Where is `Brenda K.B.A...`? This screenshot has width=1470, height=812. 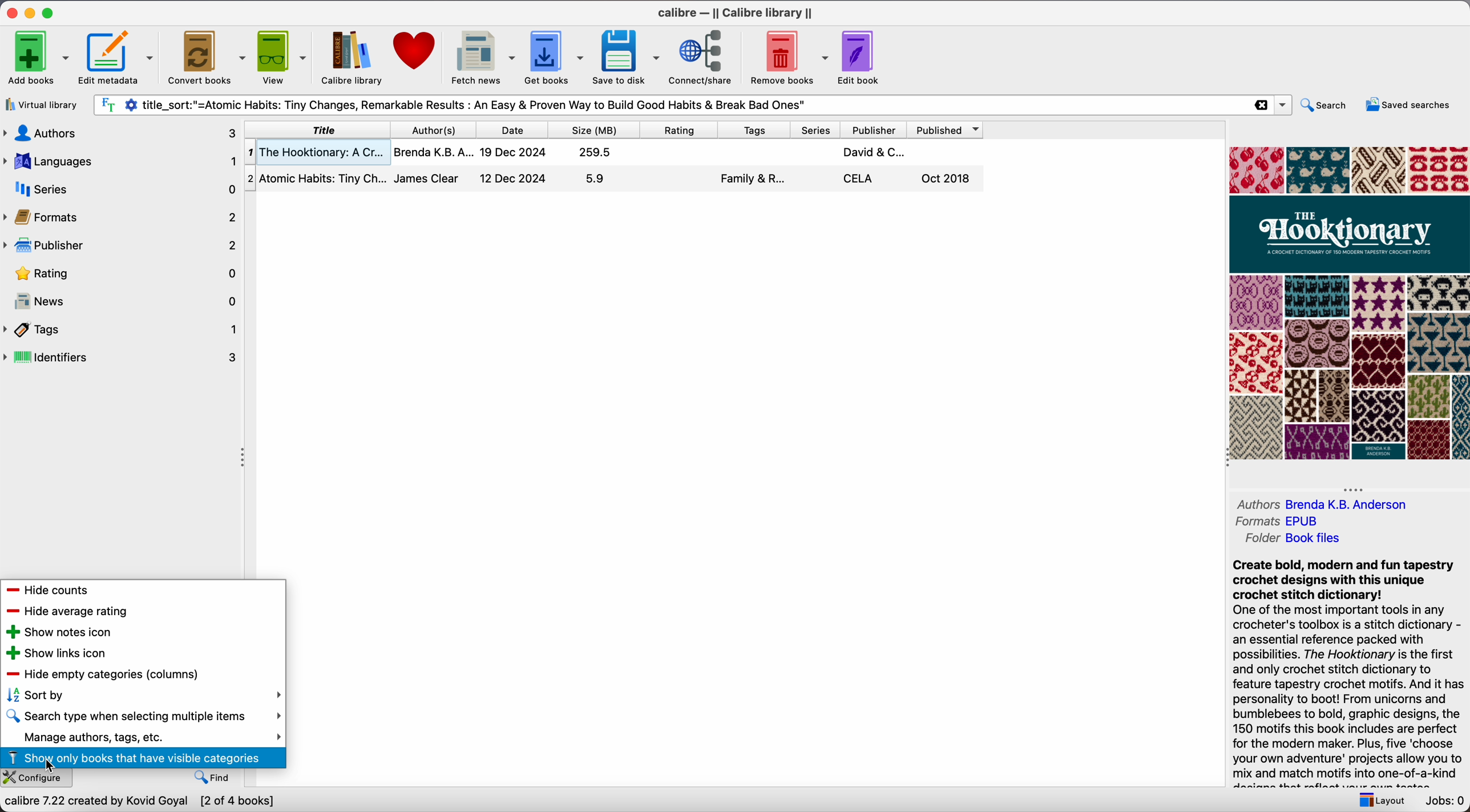 Brenda K.B.A... is located at coordinates (433, 152).